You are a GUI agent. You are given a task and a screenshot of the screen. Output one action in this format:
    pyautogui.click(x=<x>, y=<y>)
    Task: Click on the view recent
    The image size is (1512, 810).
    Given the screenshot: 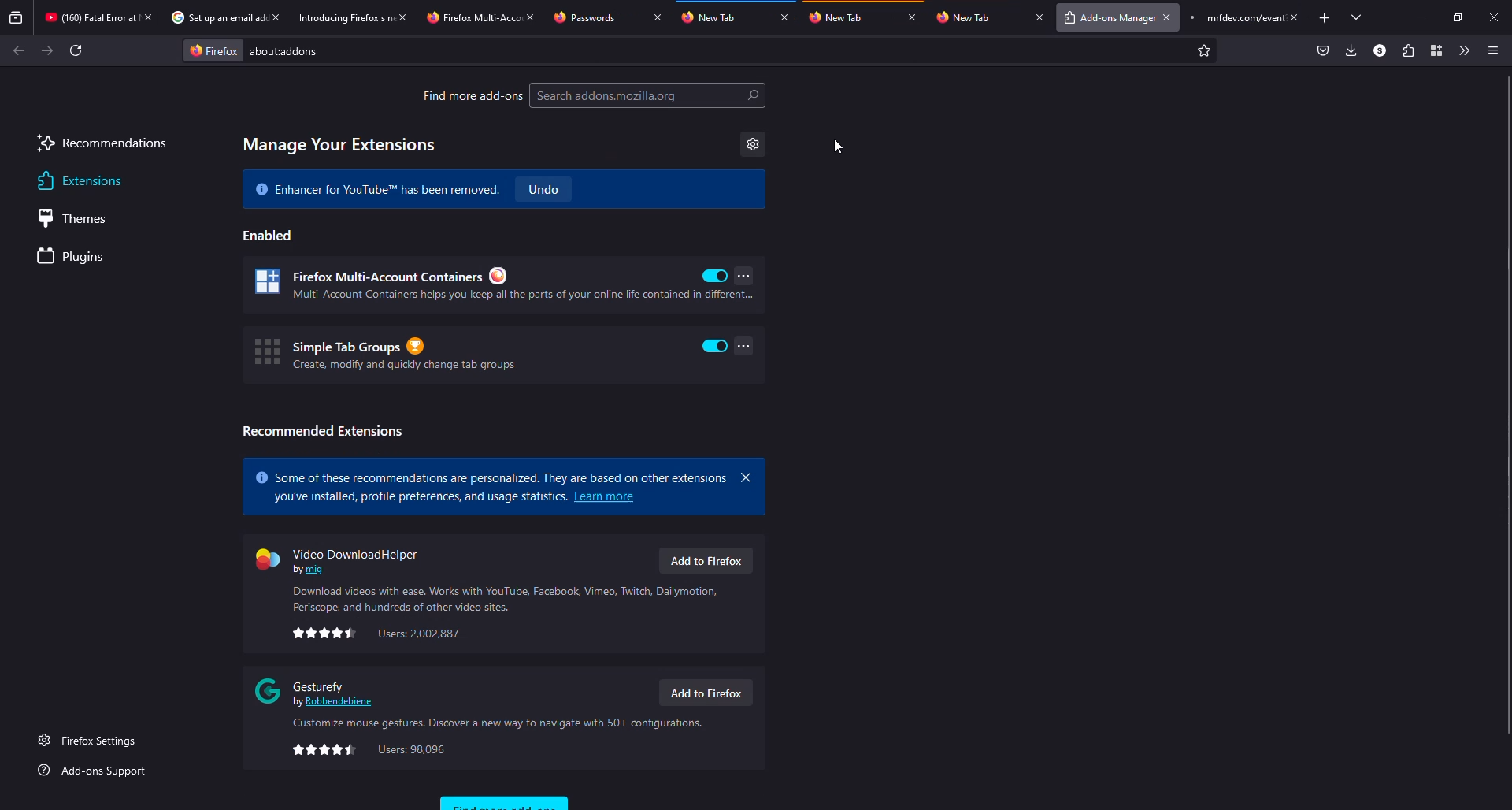 What is the action you would take?
    pyautogui.click(x=17, y=17)
    